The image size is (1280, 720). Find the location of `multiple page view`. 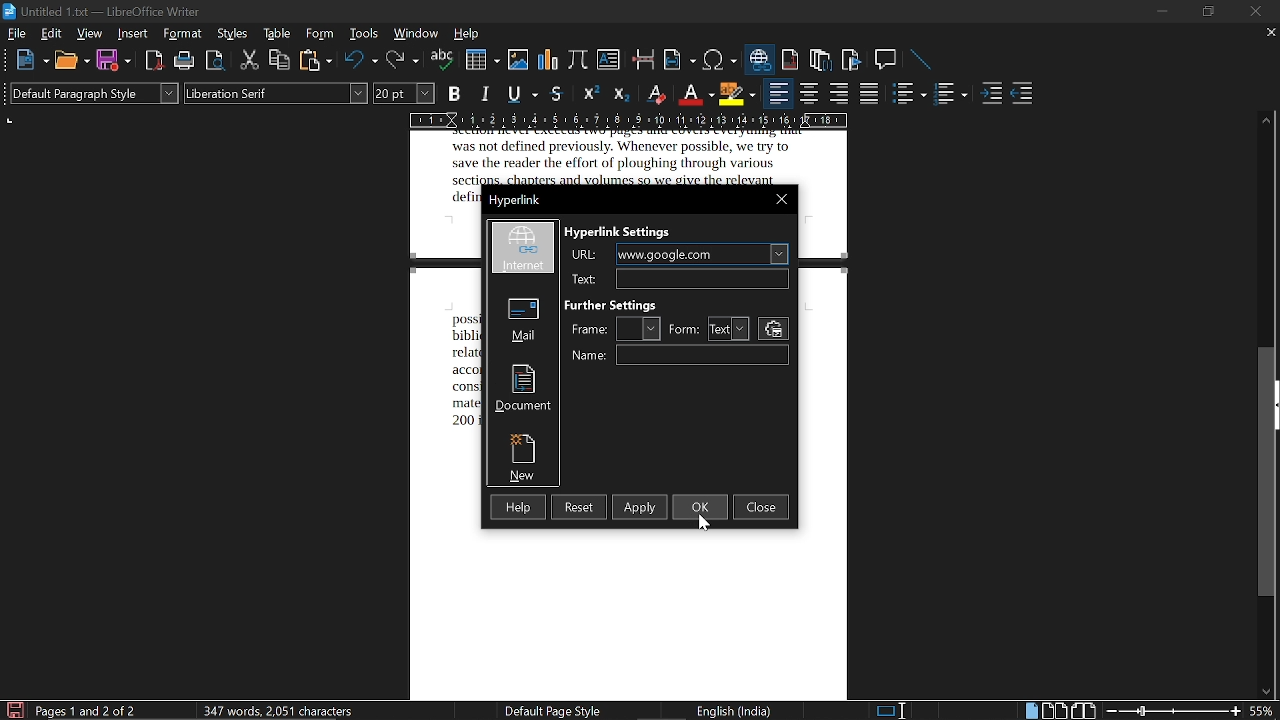

multiple page view is located at coordinates (1054, 710).